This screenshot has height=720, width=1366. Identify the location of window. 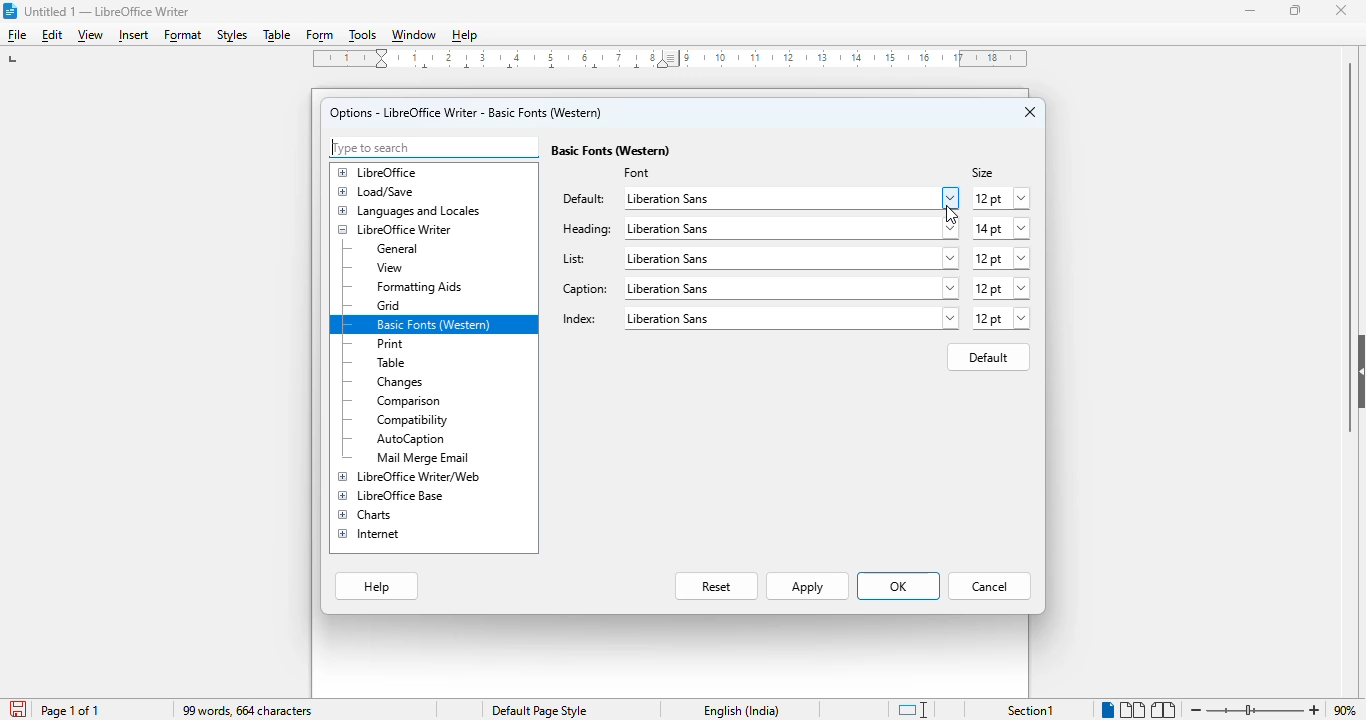
(413, 37).